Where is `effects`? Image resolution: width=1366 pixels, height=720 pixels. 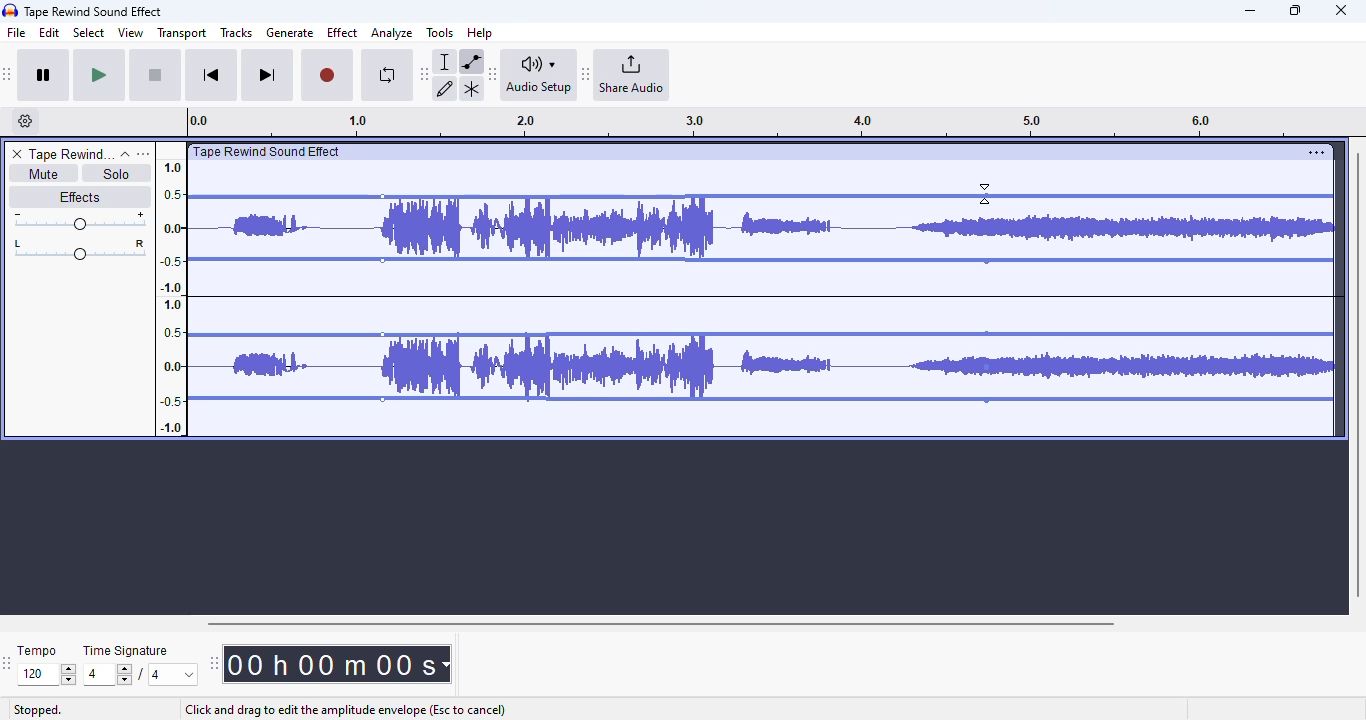
effects is located at coordinates (79, 196).